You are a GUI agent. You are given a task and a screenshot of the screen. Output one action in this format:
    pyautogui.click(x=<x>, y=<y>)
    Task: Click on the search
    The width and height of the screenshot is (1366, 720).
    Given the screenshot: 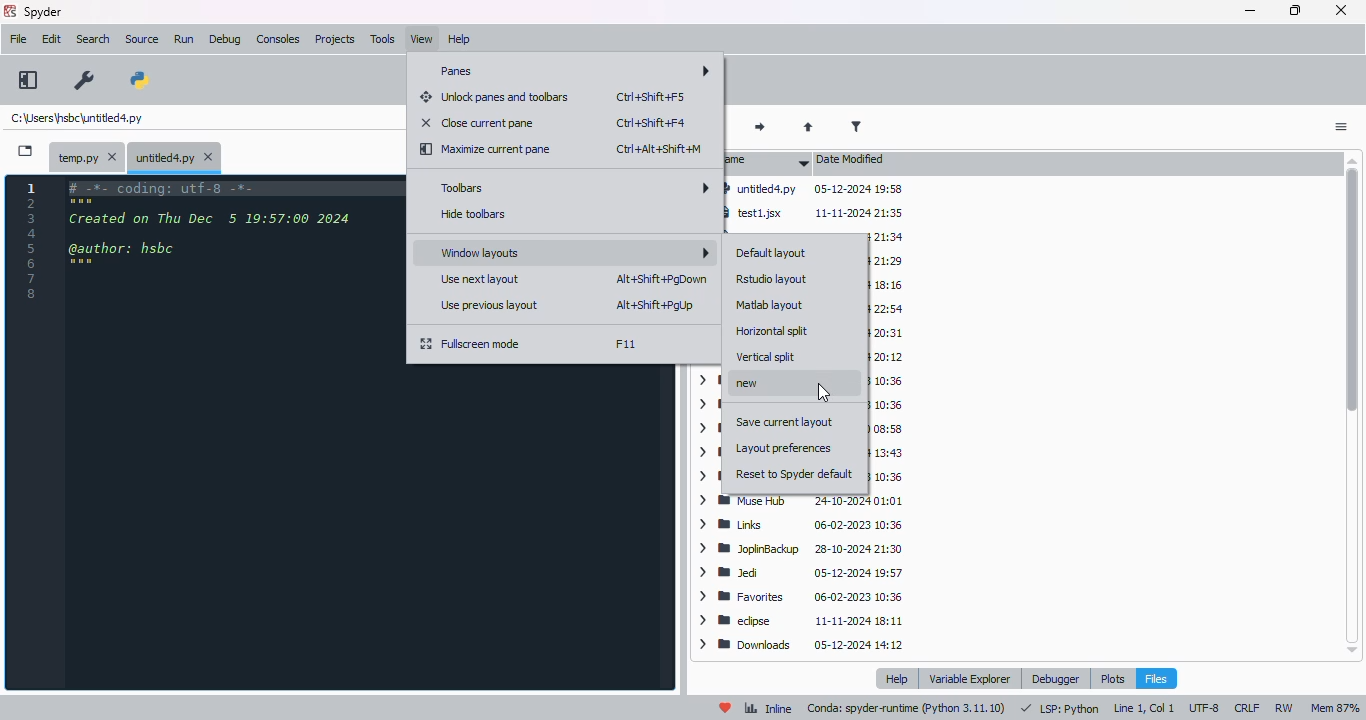 What is the action you would take?
    pyautogui.click(x=93, y=39)
    